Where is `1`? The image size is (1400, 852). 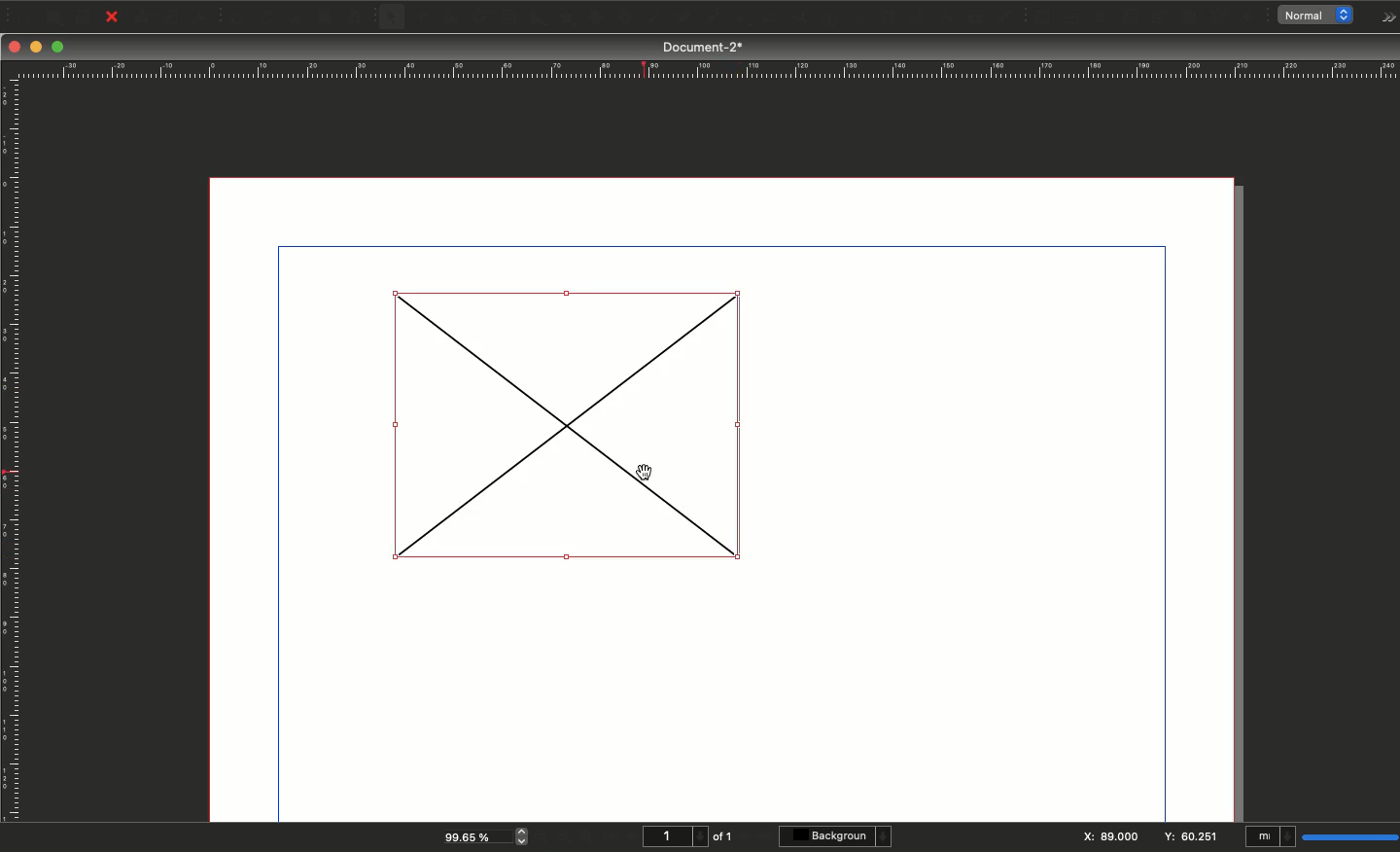
1 is located at coordinates (673, 836).